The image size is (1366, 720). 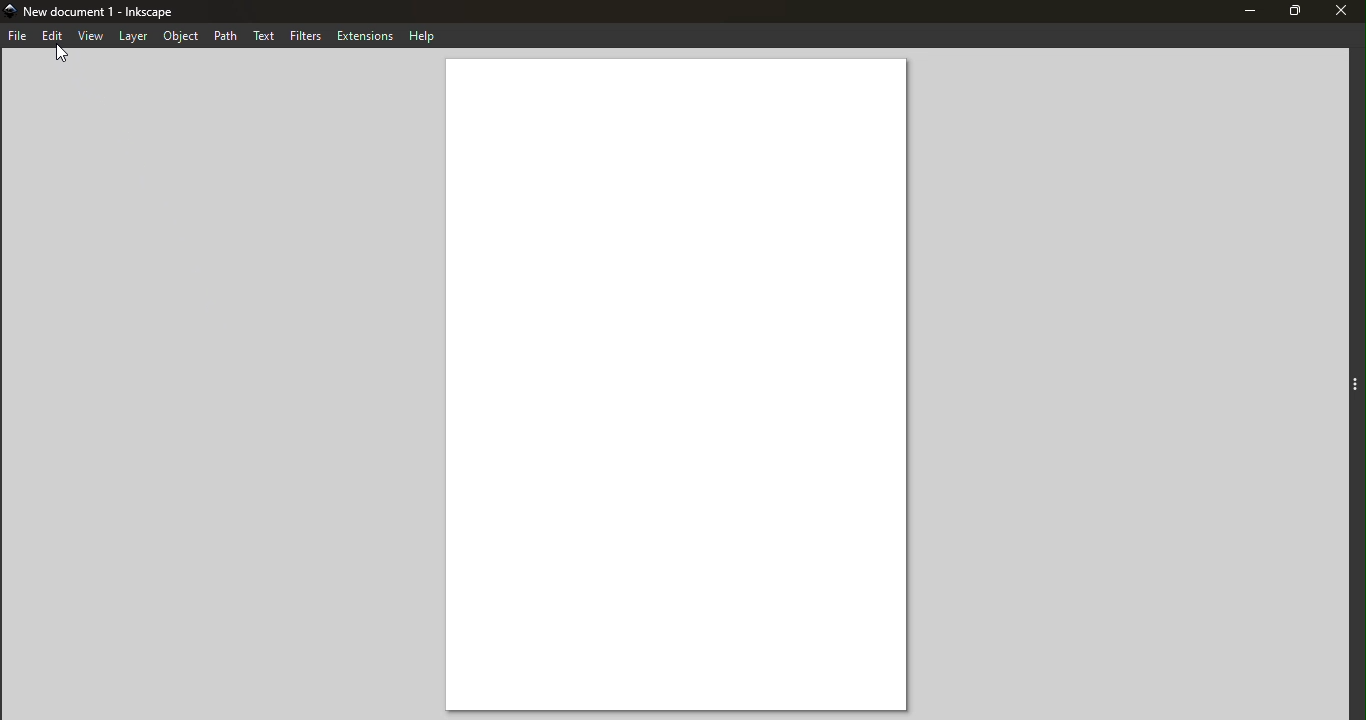 What do you see at coordinates (1355, 386) in the screenshot?
I see `Toggle command panel` at bounding box center [1355, 386].